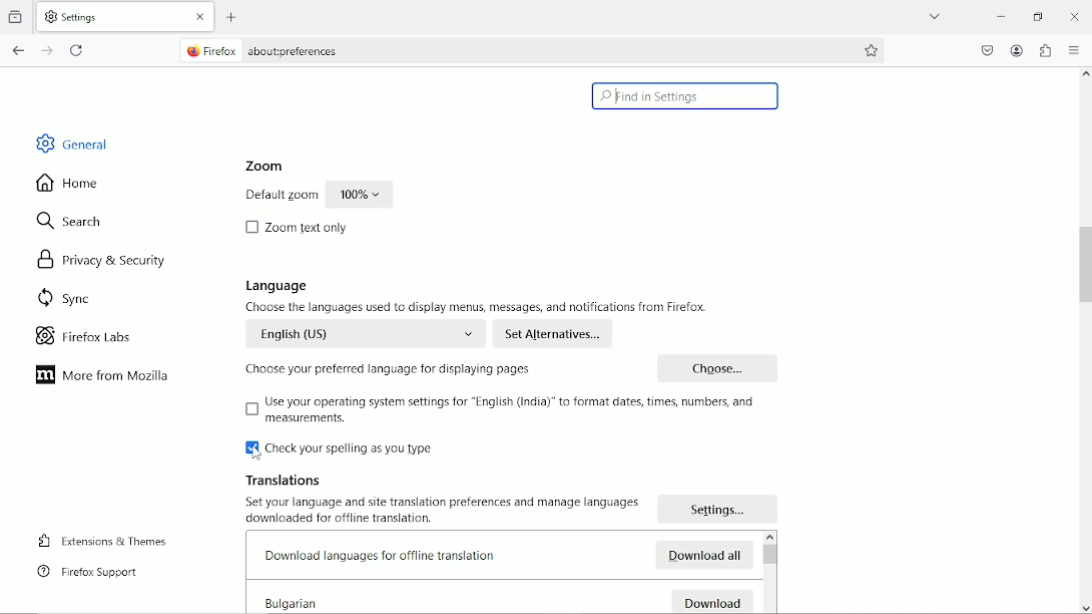 The image size is (1092, 614). I want to click on view recent browsing, so click(16, 15).